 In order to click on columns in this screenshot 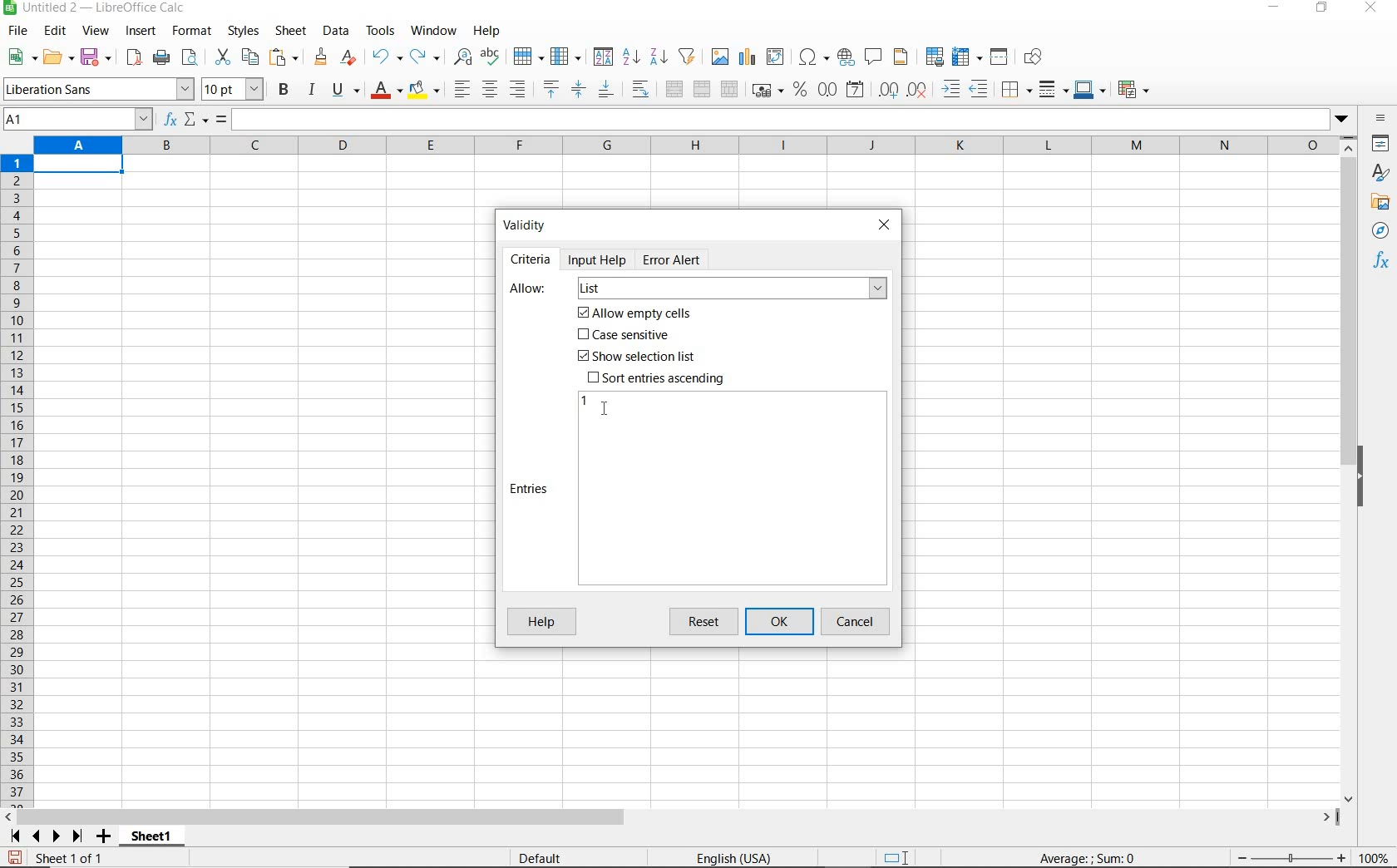, I will do `click(684, 146)`.